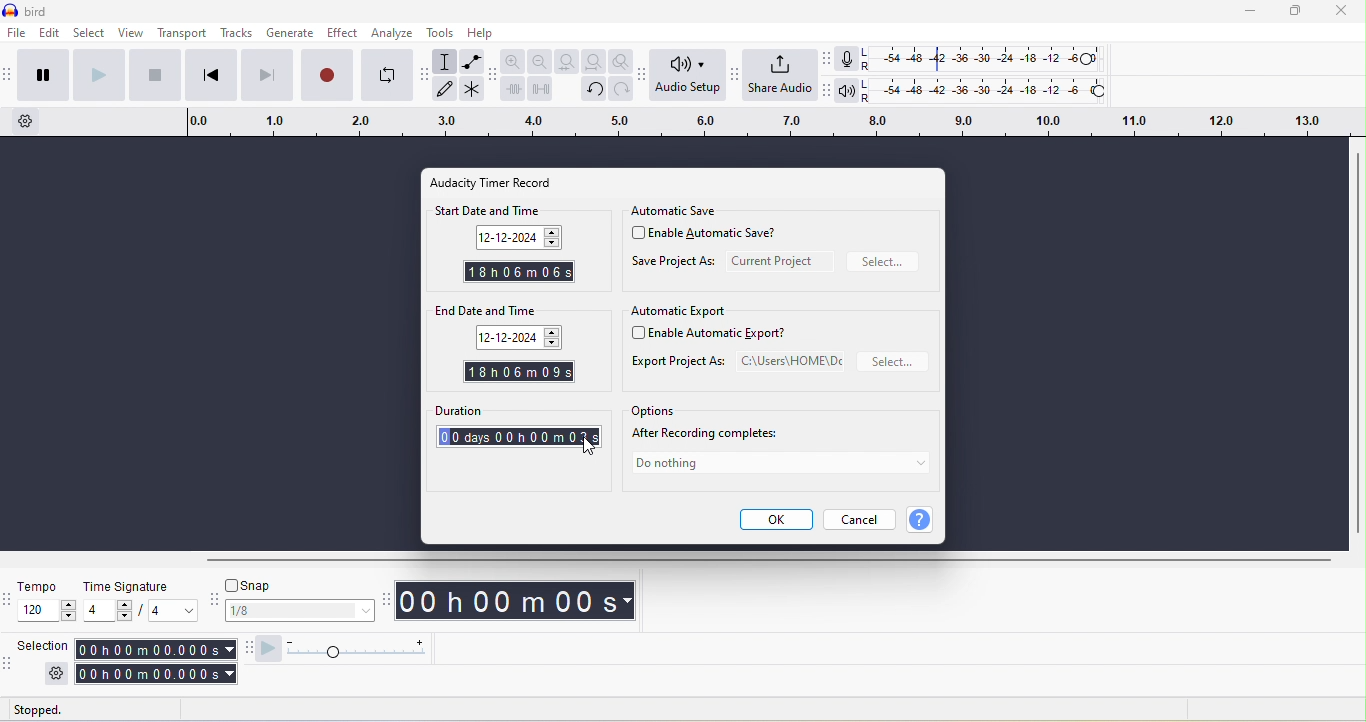 The height and width of the screenshot is (722, 1366). I want to click on play, so click(97, 76).